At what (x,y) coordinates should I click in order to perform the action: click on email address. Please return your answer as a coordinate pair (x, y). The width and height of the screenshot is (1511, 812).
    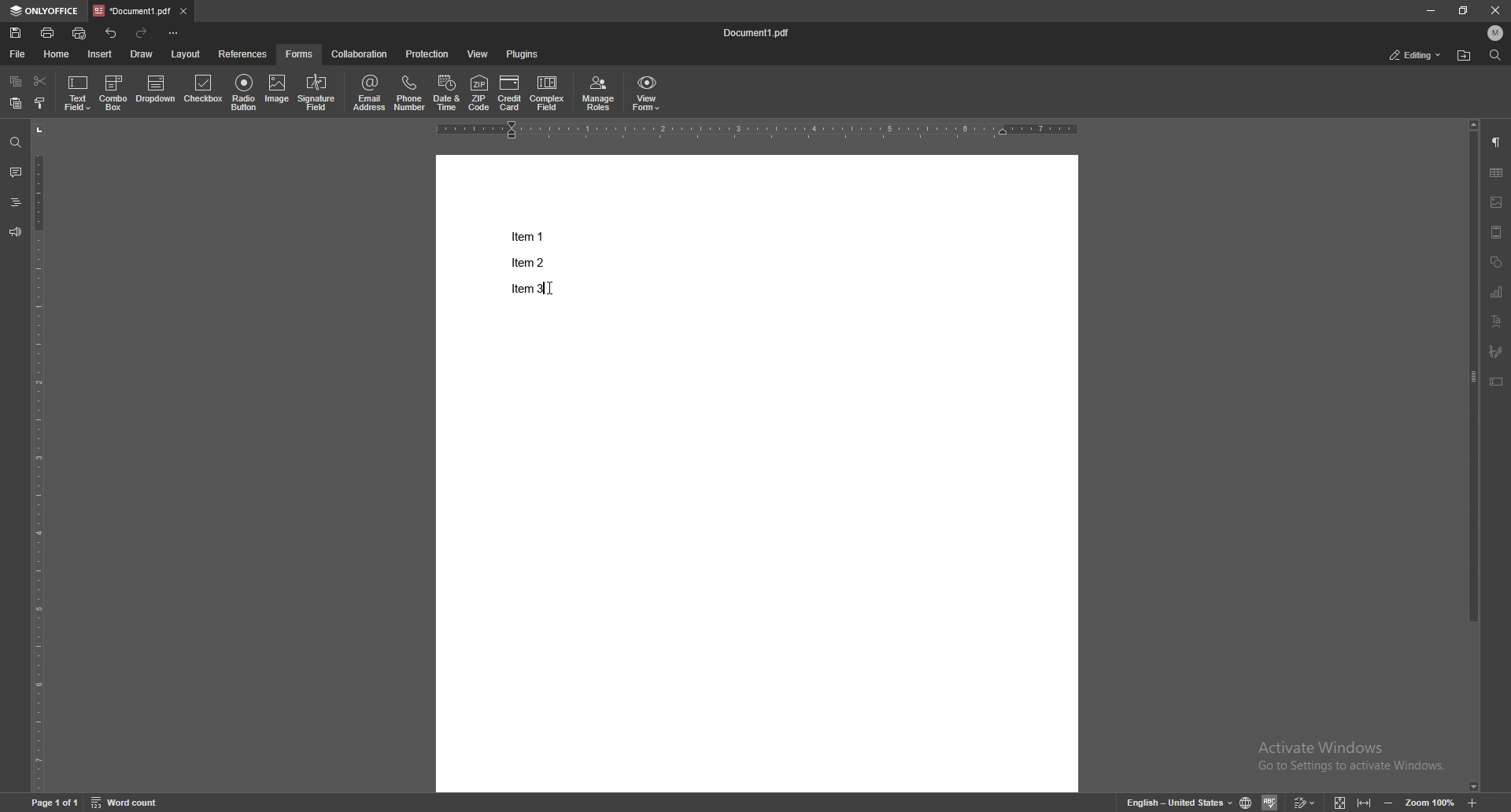
    Looking at the image, I should click on (370, 93).